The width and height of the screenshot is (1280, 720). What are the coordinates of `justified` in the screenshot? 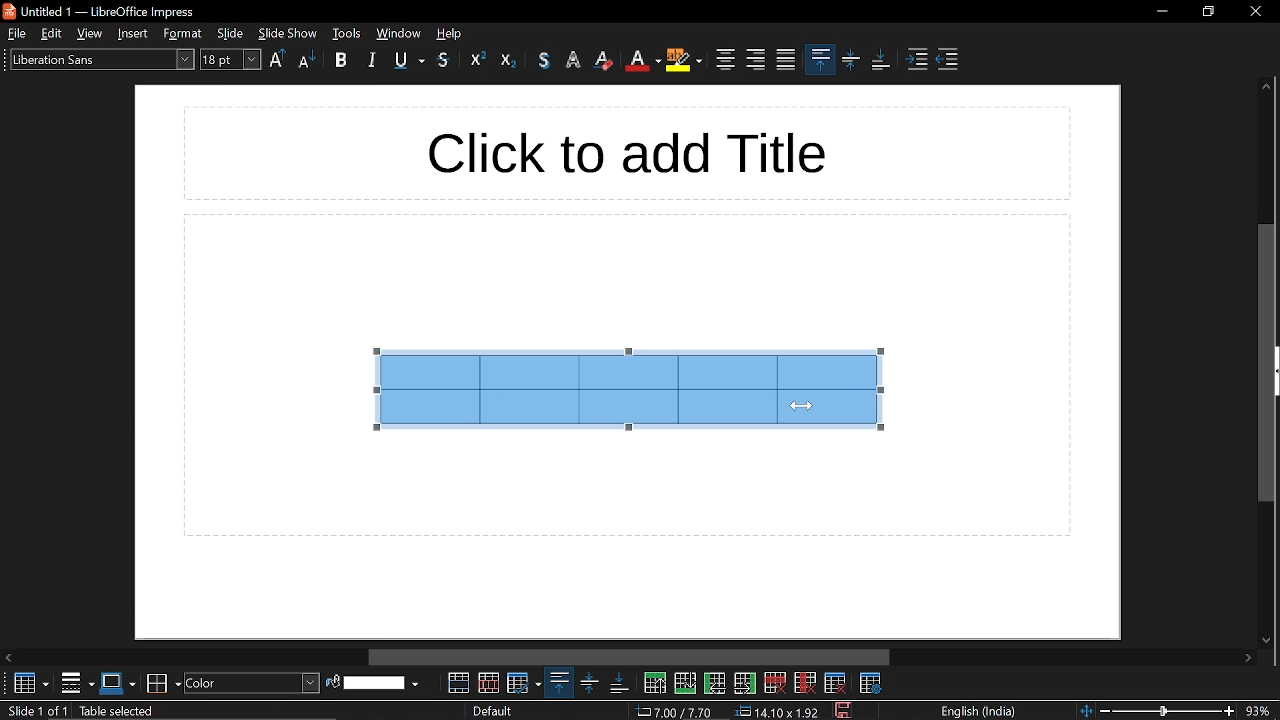 It's located at (786, 61).